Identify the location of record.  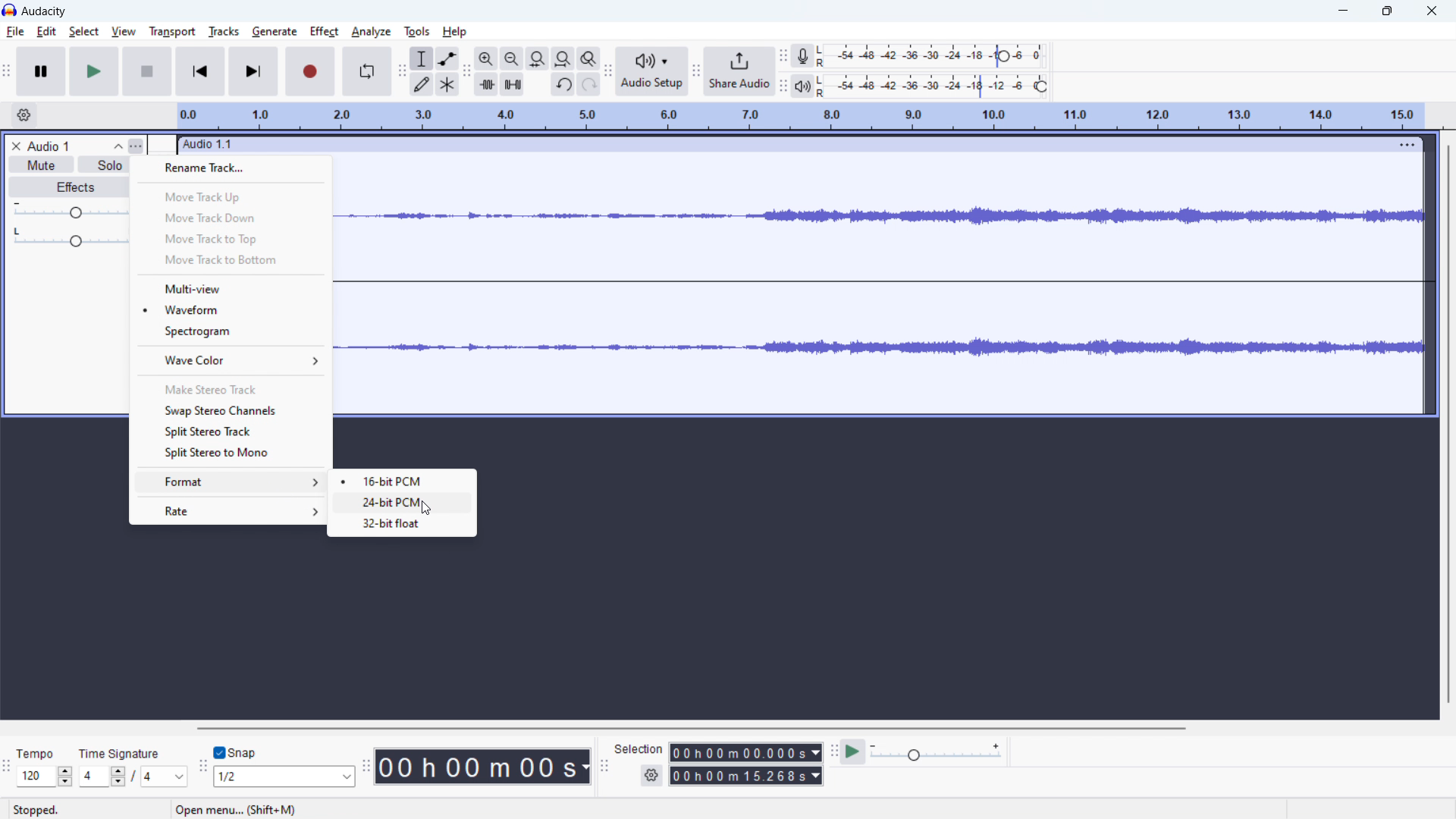
(310, 71).